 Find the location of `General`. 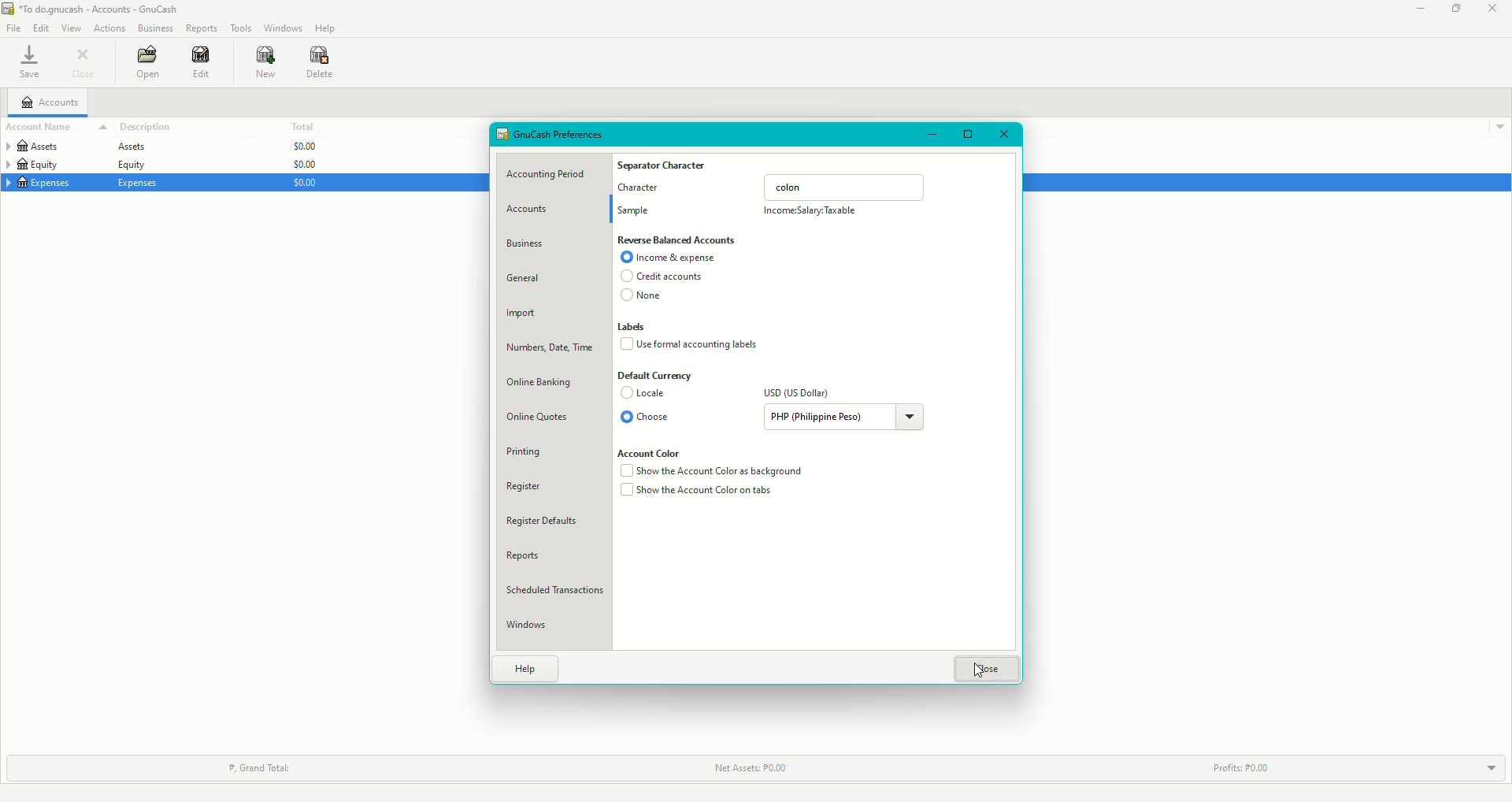

General is located at coordinates (526, 278).